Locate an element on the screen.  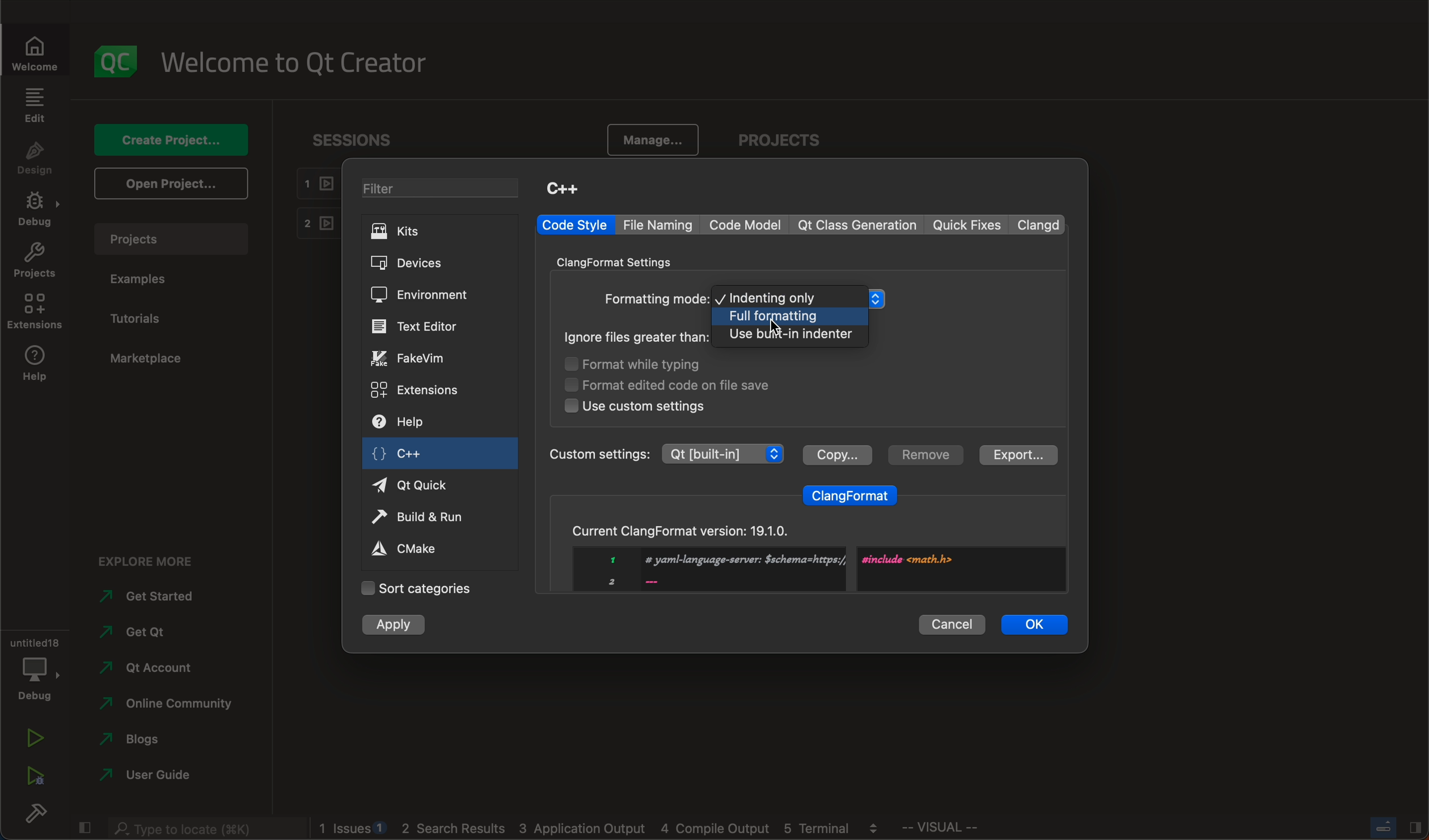
ok is located at coordinates (1035, 623).